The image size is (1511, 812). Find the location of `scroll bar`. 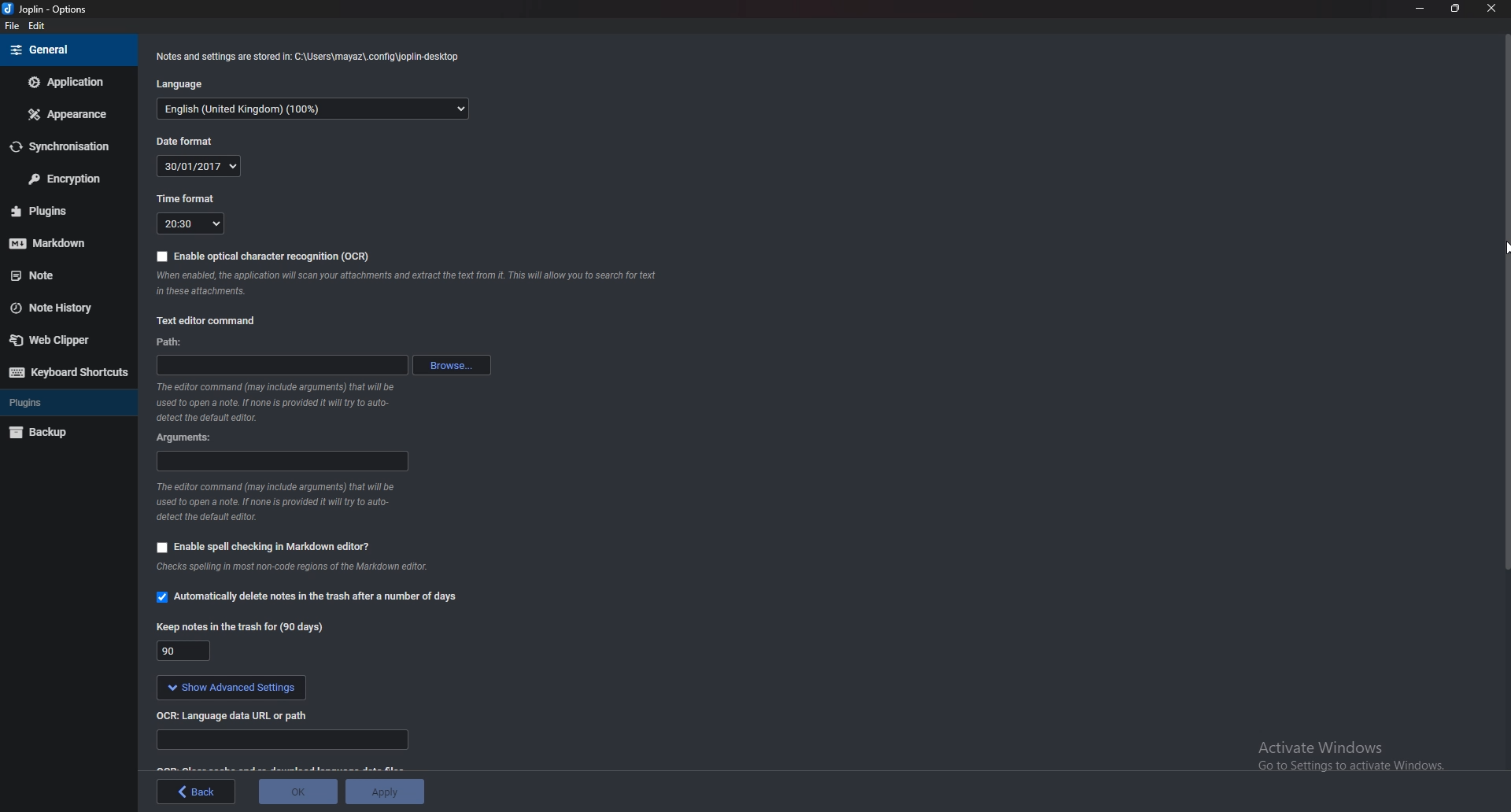

scroll bar is located at coordinates (1505, 303).